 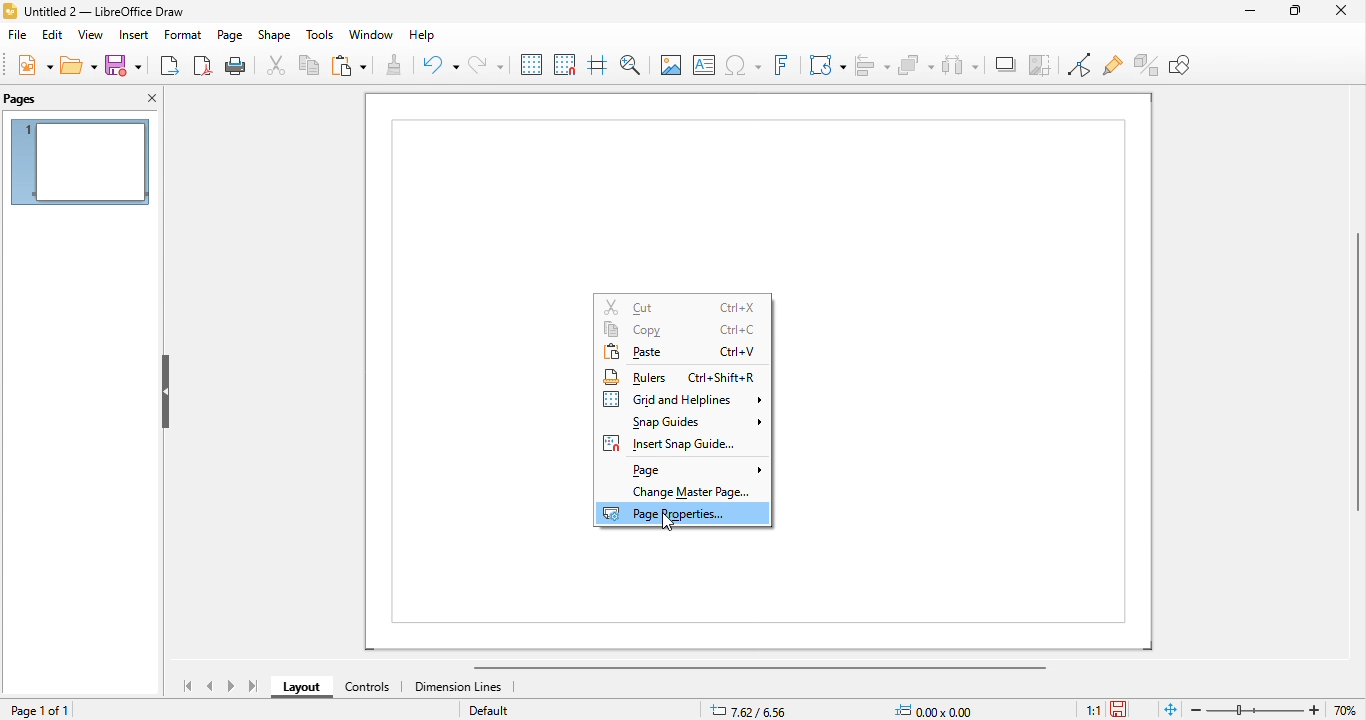 I want to click on close pane, so click(x=147, y=97).